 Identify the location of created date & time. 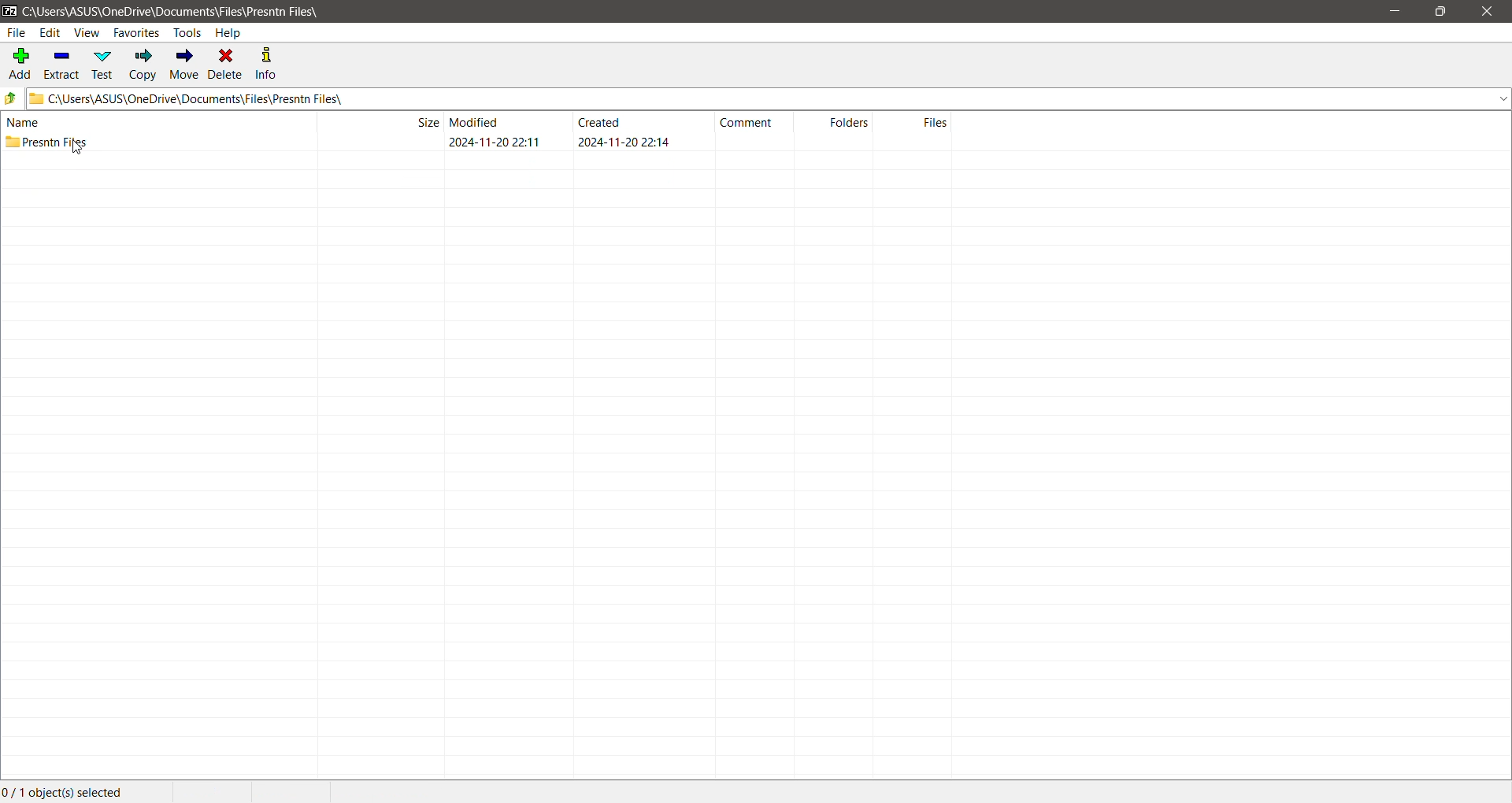
(623, 142).